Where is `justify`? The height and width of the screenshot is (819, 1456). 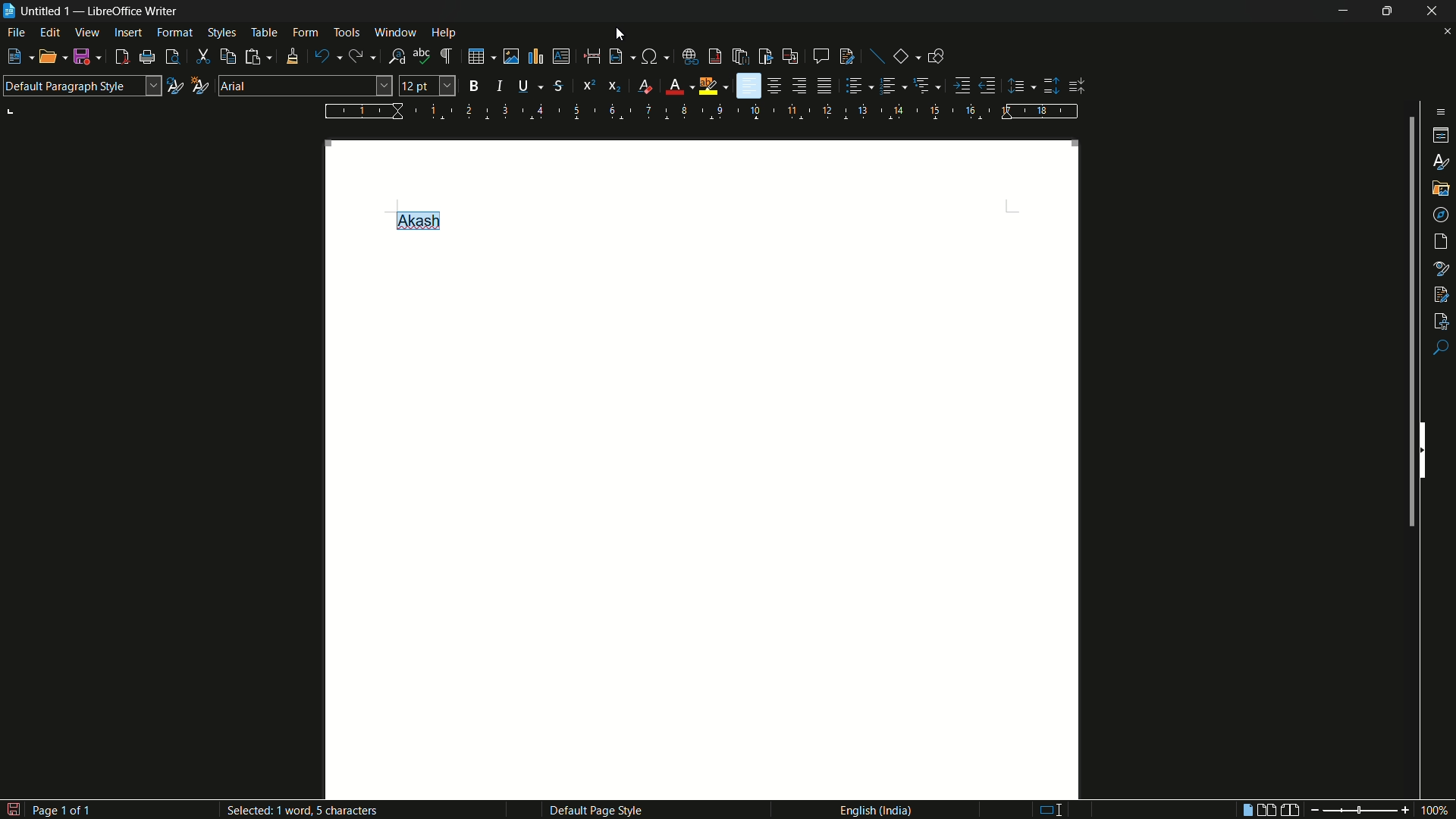
justify is located at coordinates (827, 88).